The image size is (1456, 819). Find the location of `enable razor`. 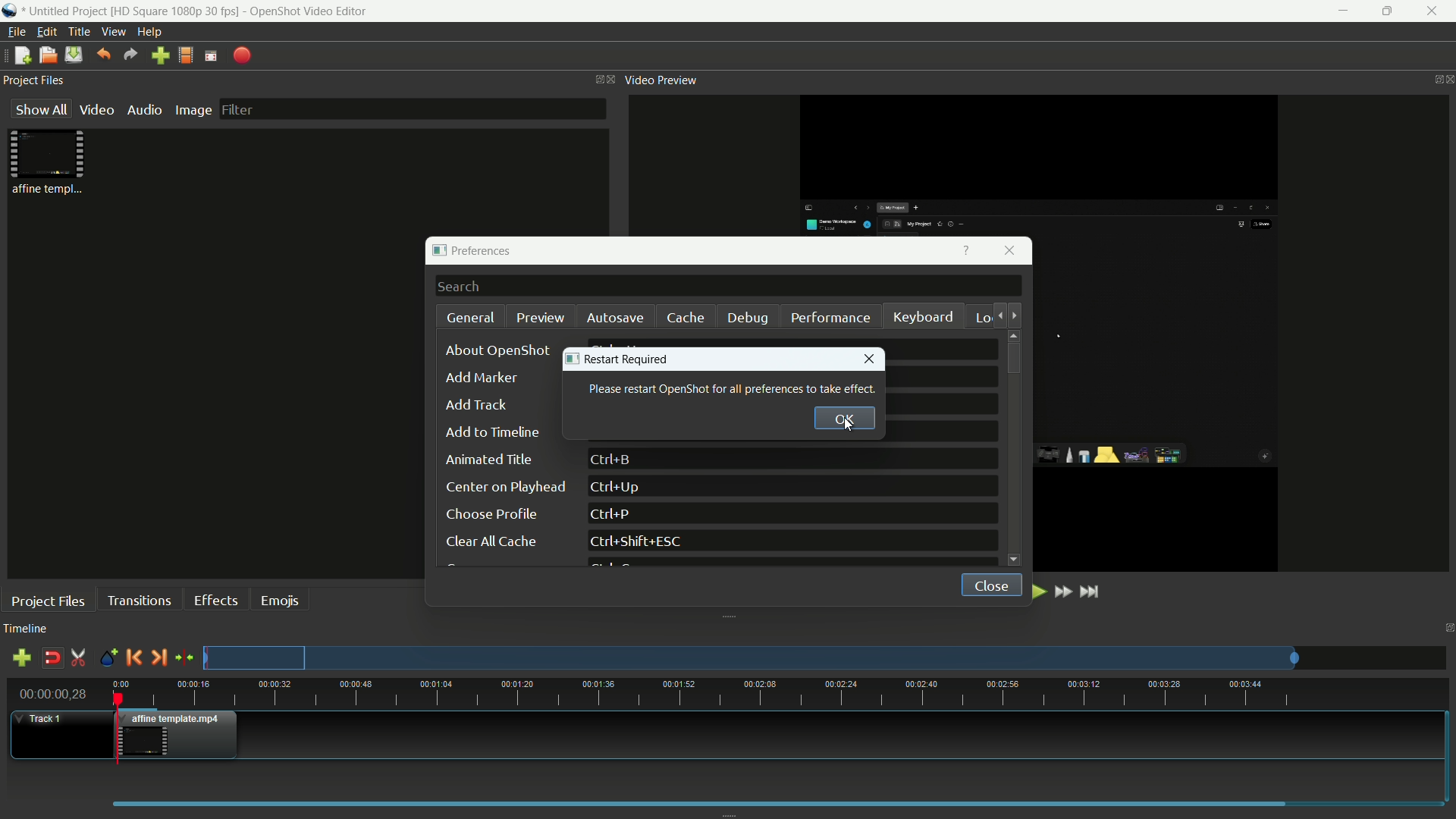

enable razor is located at coordinates (78, 658).